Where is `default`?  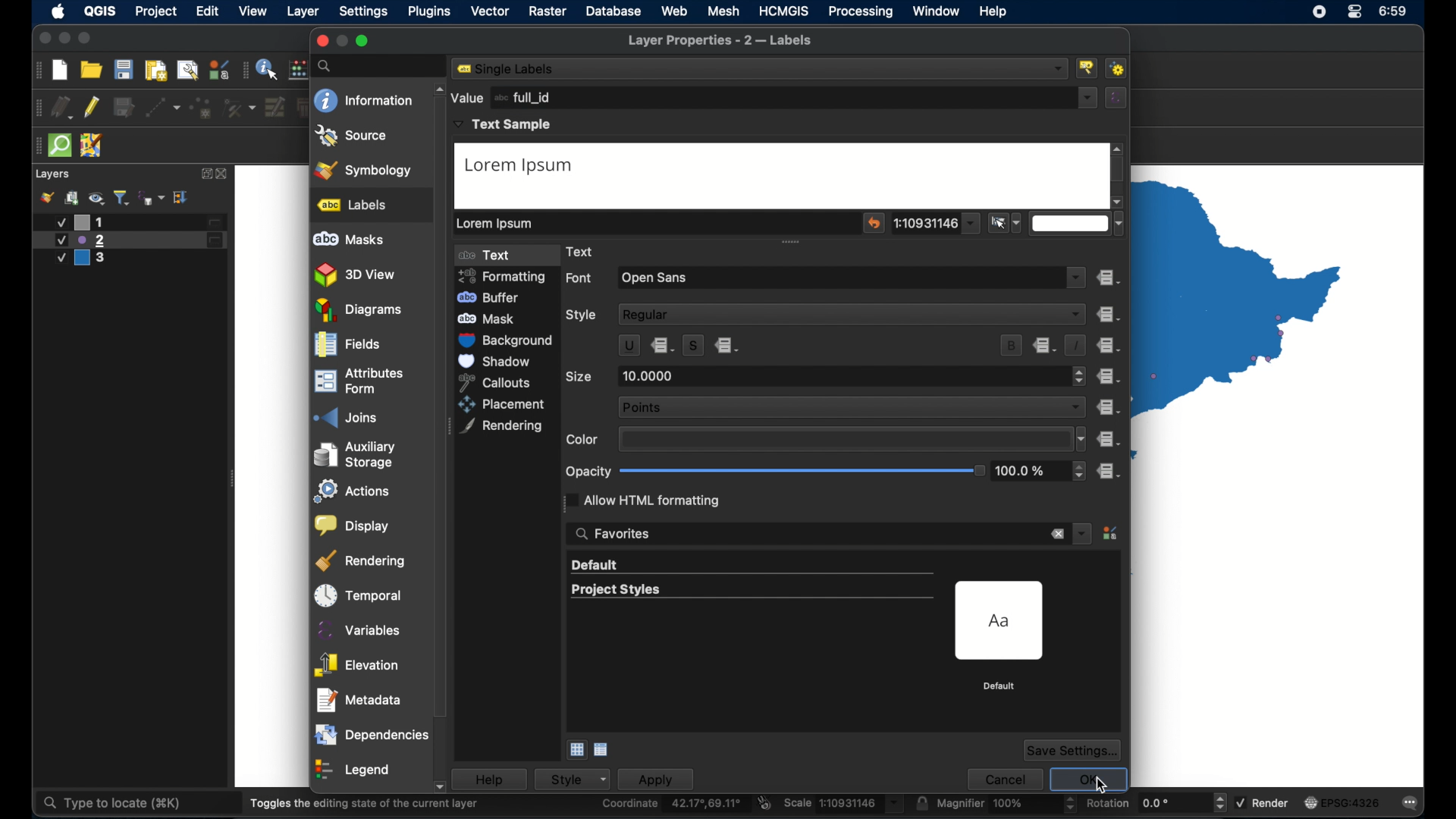
default is located at coordinates (596, 566).